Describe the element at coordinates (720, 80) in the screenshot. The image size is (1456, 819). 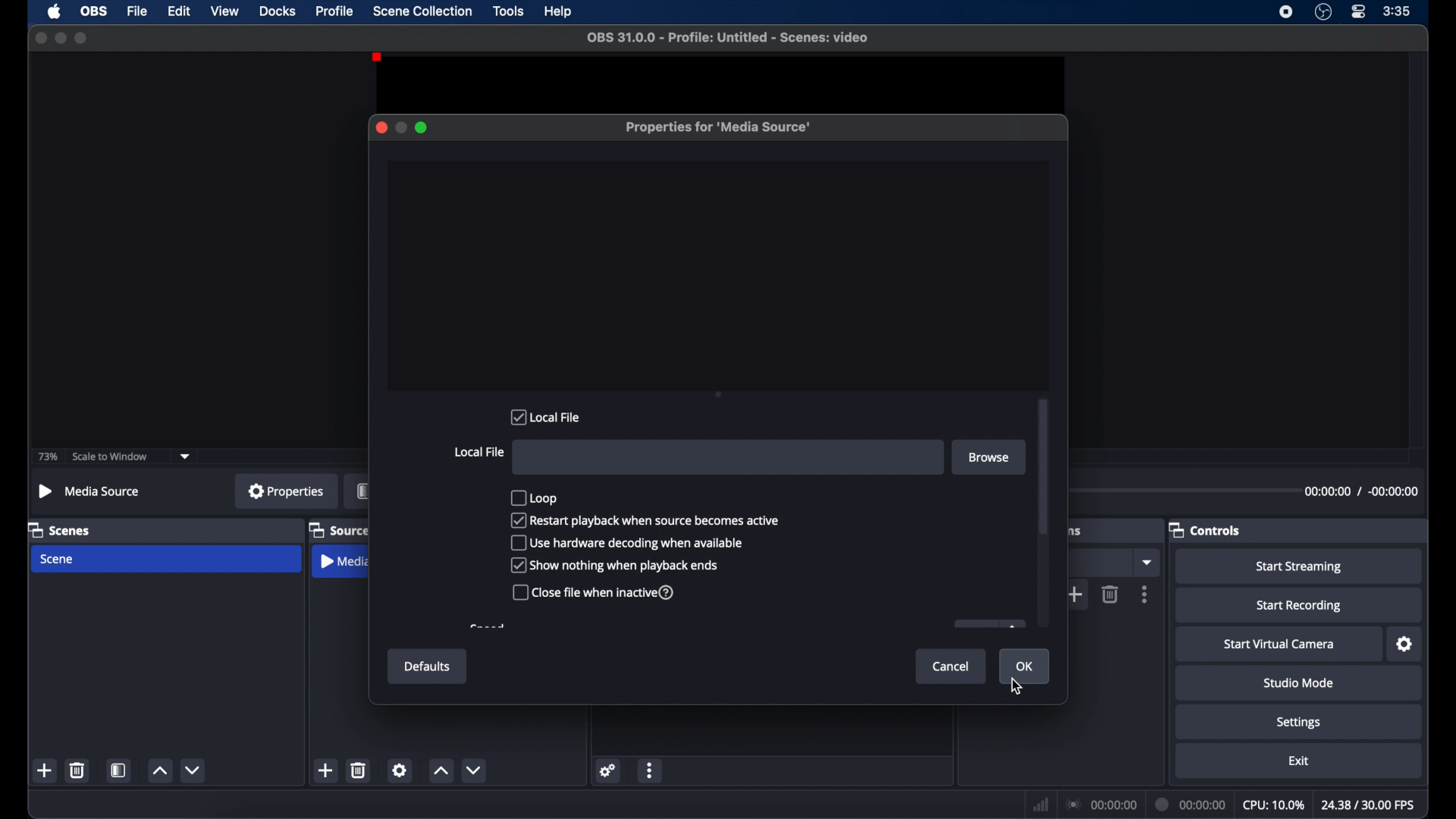
I see `preview` at that location.